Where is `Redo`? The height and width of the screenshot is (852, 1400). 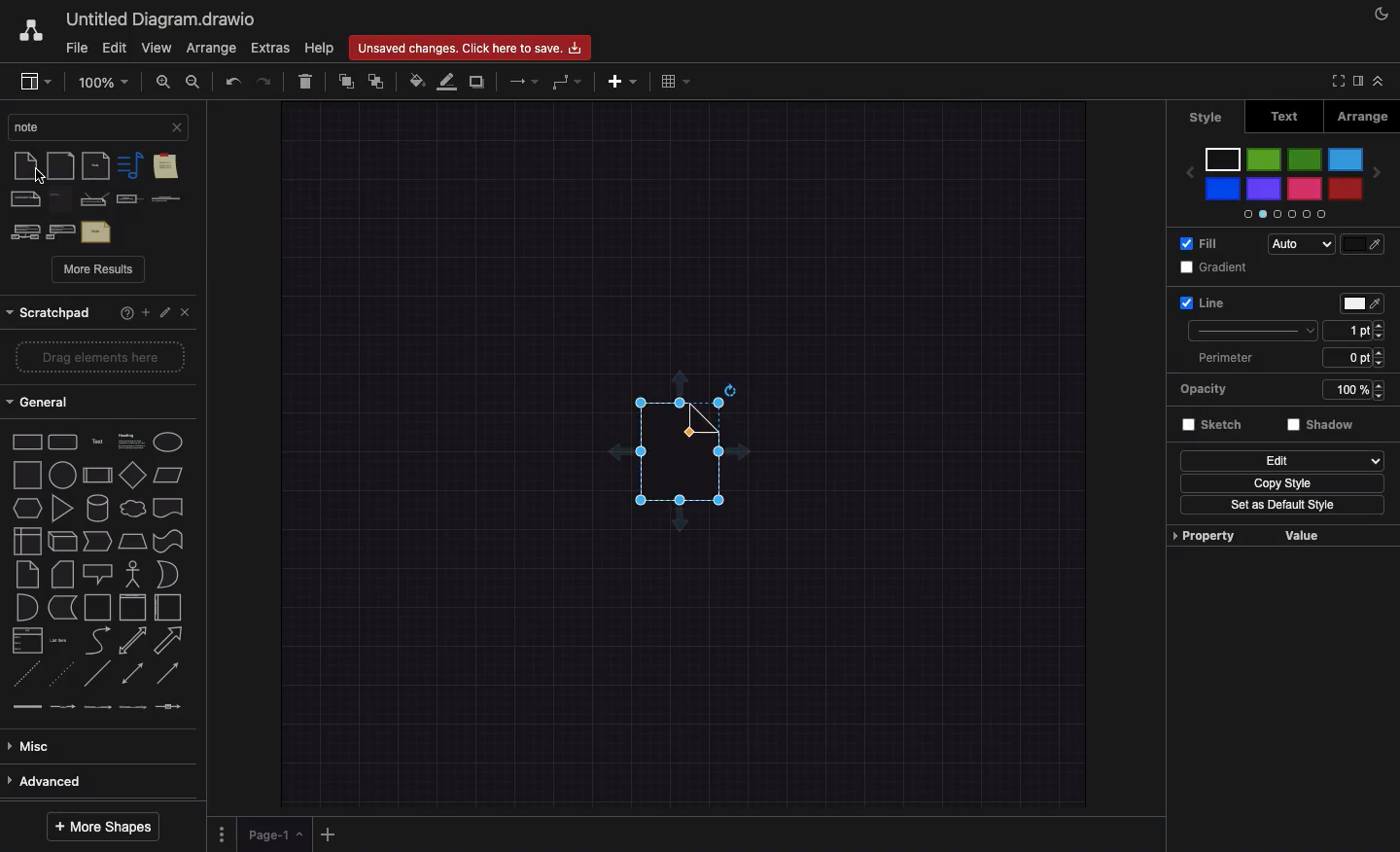
Redo is located at coordinates (264, 81).